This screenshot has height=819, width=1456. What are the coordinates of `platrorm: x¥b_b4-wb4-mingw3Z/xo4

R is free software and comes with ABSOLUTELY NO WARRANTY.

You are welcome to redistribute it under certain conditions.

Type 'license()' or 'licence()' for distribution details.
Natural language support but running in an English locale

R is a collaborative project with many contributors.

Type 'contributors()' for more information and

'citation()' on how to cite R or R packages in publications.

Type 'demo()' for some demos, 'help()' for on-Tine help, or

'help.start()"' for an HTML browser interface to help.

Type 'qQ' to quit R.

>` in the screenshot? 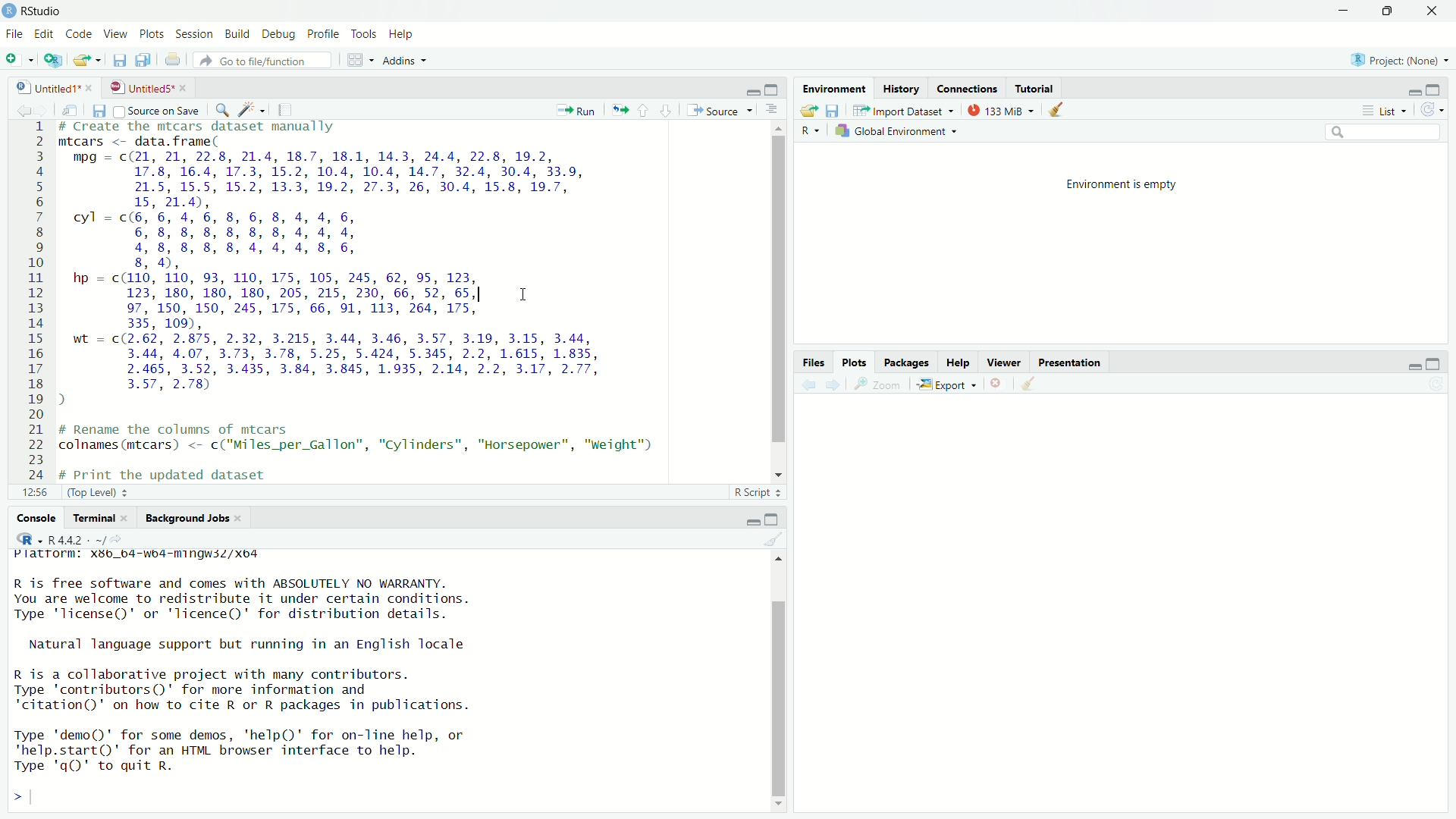 It's located at (291, 679).